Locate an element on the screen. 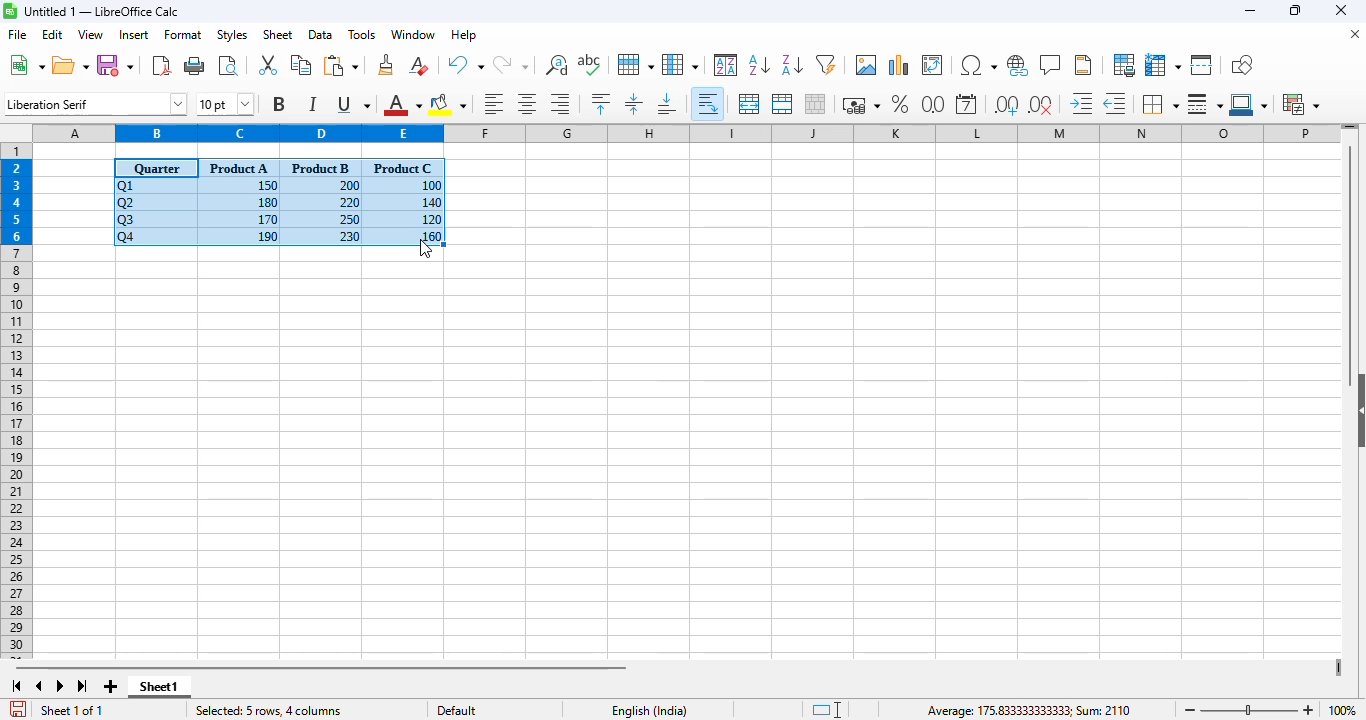 The image size is (1366, 720). new is located at coordinates (26, 64).